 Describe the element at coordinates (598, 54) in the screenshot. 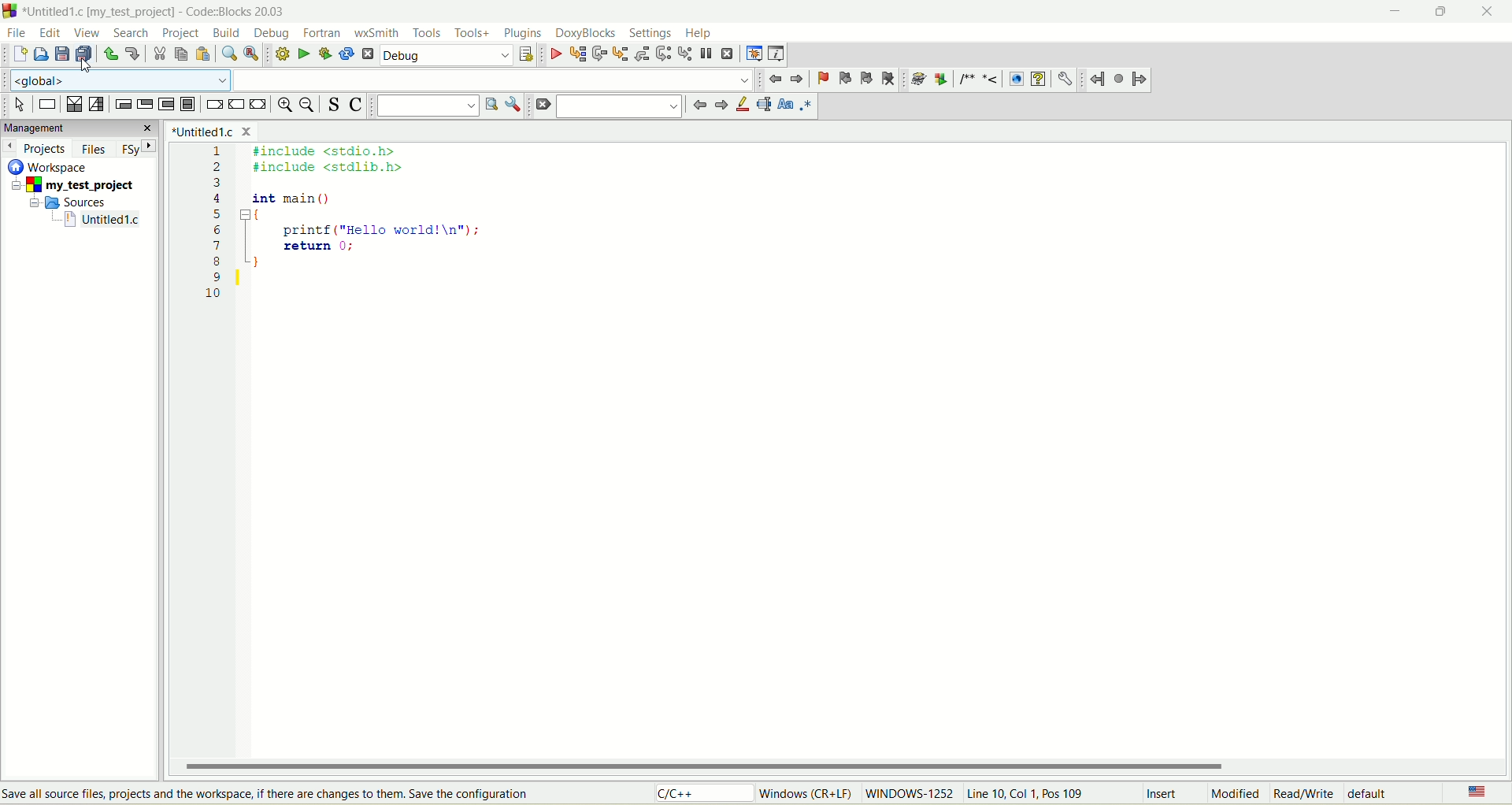

I see `next line` at that location.